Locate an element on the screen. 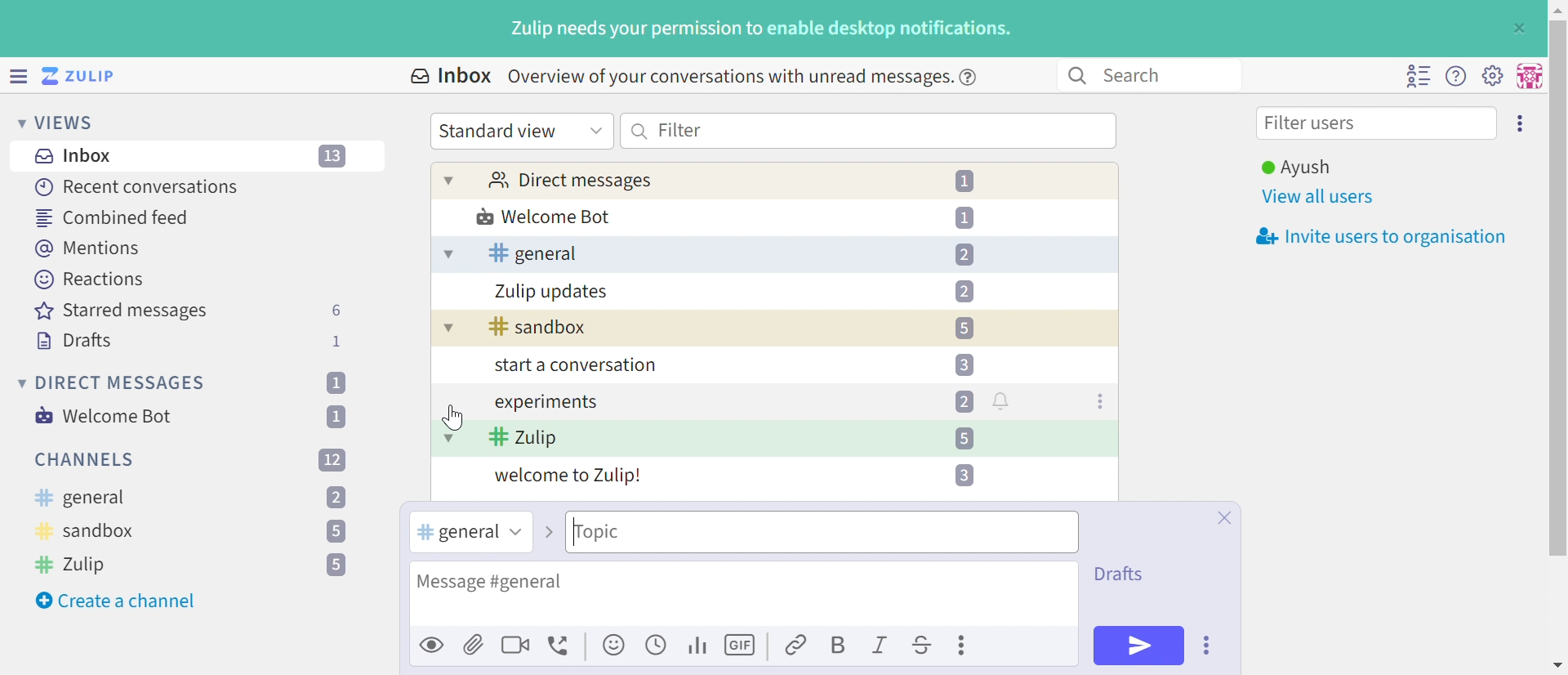 This screenshot has width=1568, height=675. Zulip is located at coordinates (74, 564).